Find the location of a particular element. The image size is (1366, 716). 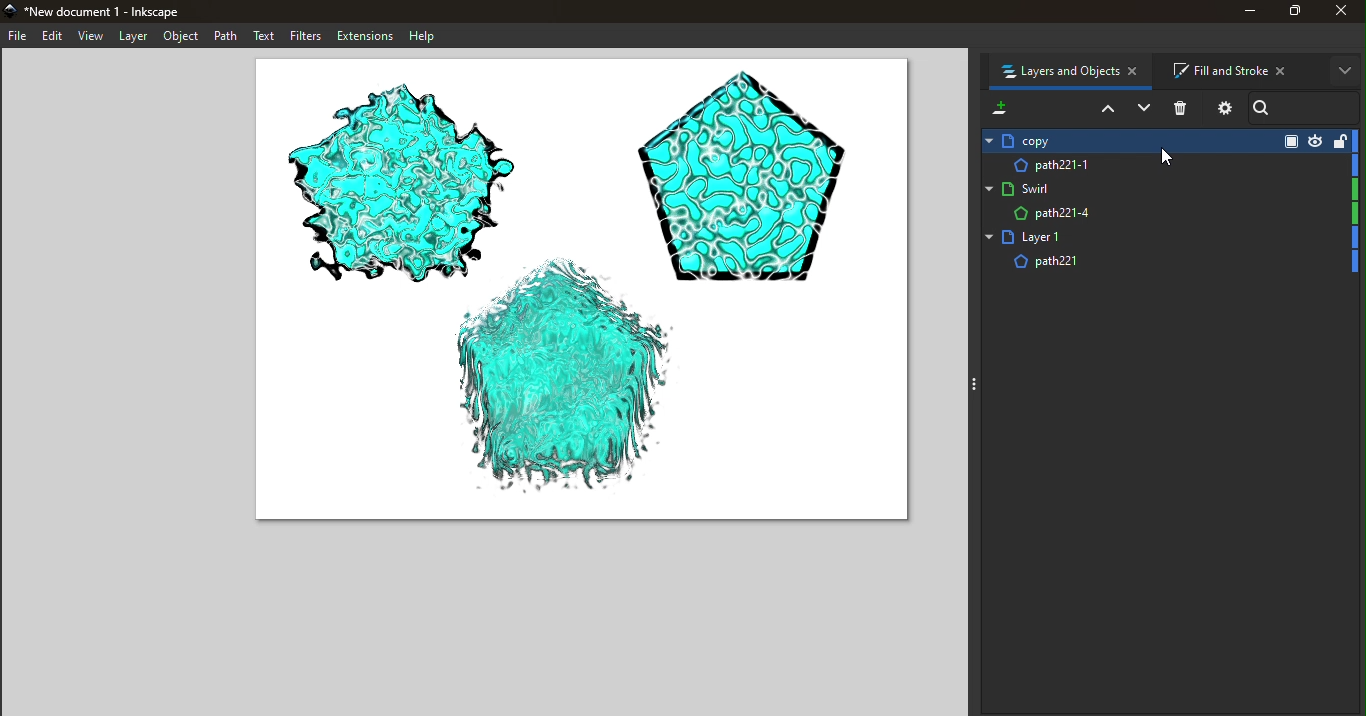

Layer 1 is located at coordinates (1169, 238).